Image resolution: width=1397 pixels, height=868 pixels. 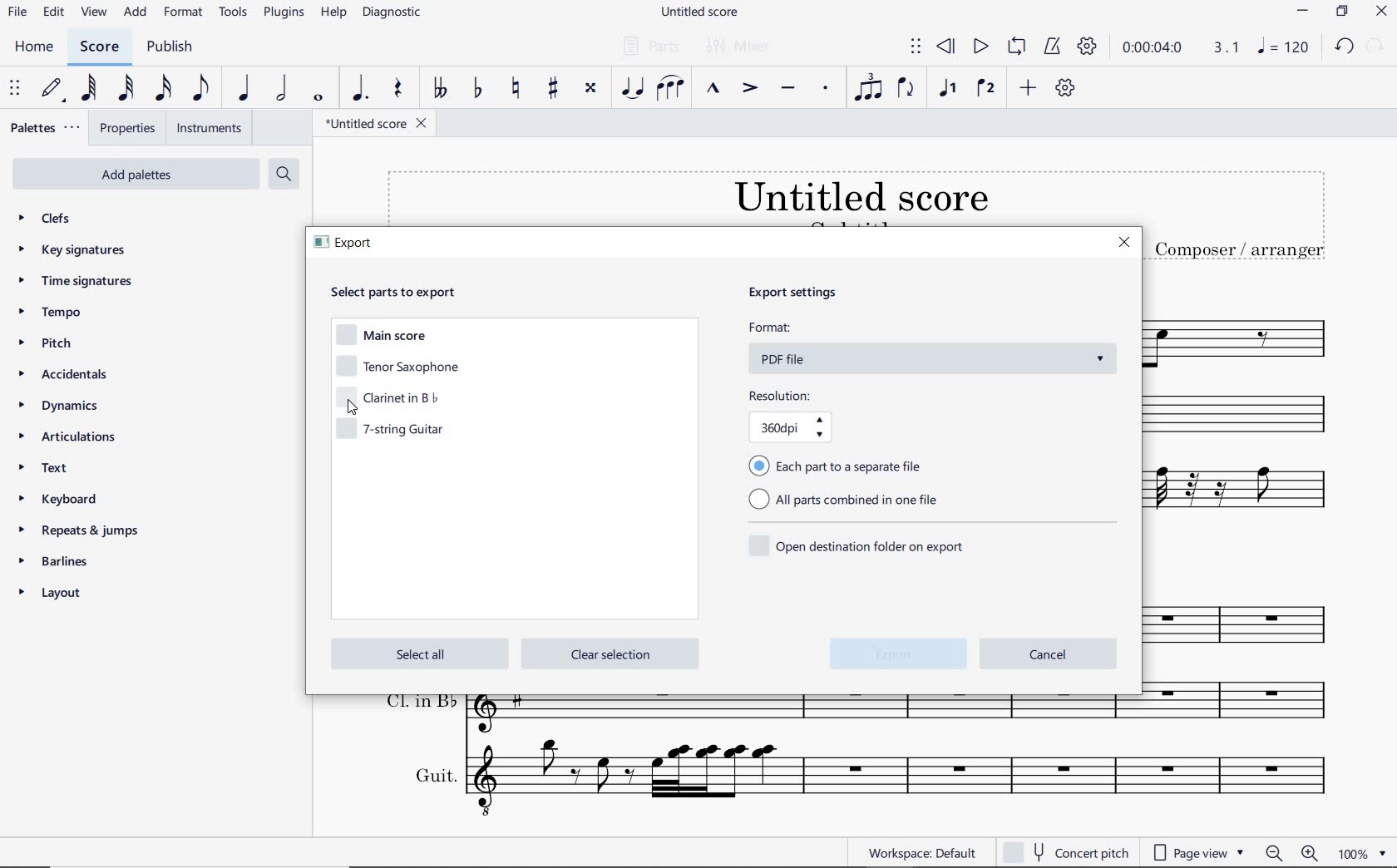 What do you see at coordinates (1381, 11) in the screenshot?
I see `CLOSE` at bounding box center [1381, 11].